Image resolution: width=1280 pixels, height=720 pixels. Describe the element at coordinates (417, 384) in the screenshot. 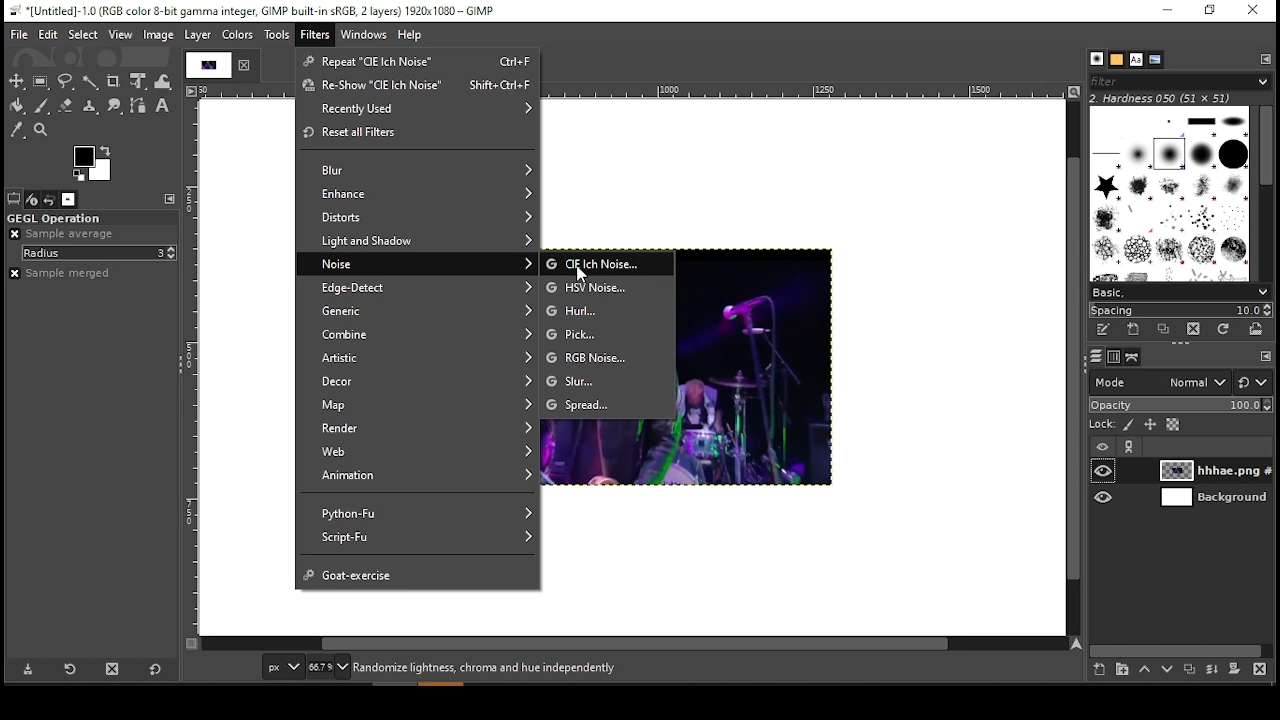

I see `decor` at that location.